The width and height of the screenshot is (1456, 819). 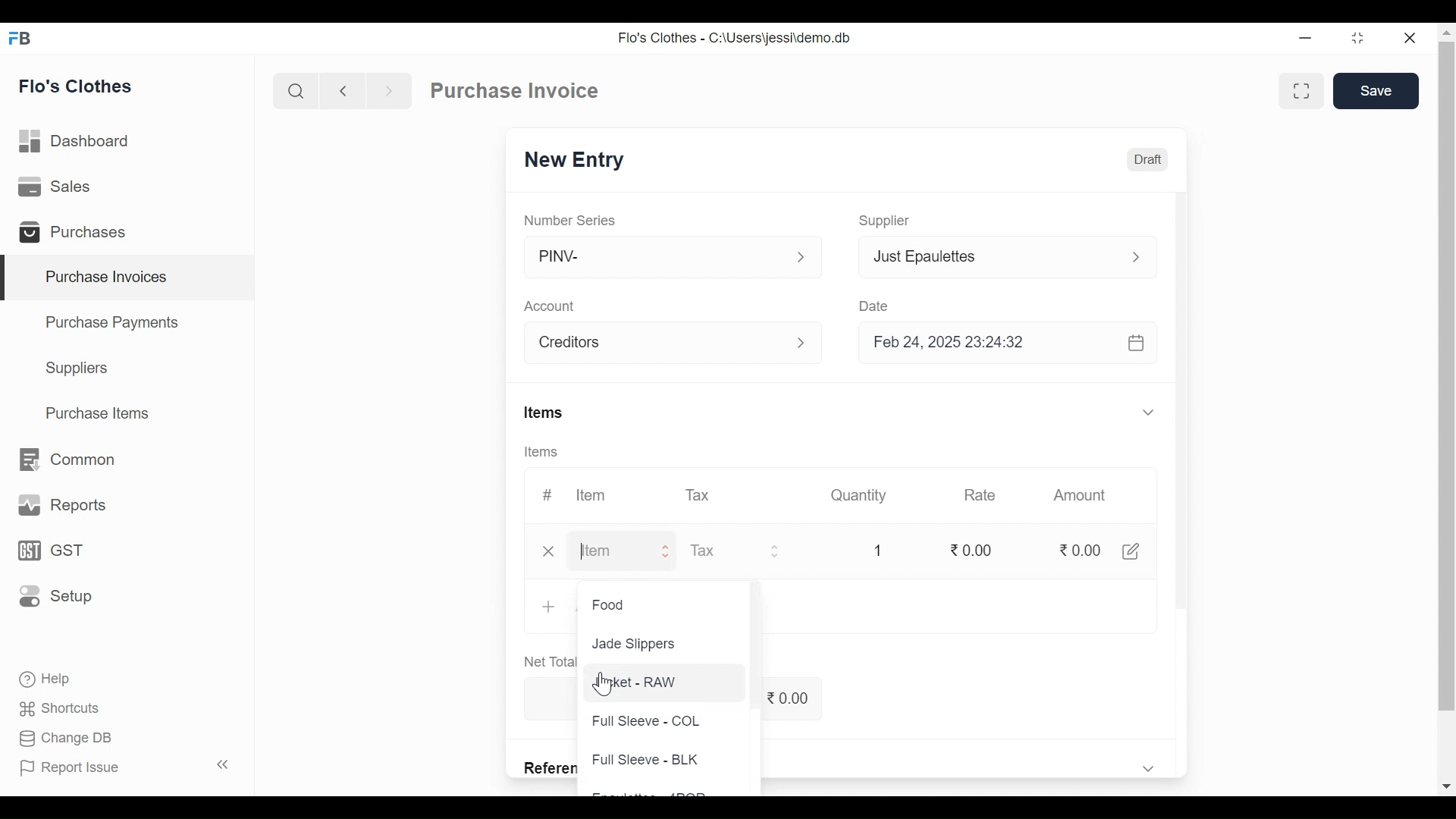 I want to click on Draft, so click(x=1148, y=158).